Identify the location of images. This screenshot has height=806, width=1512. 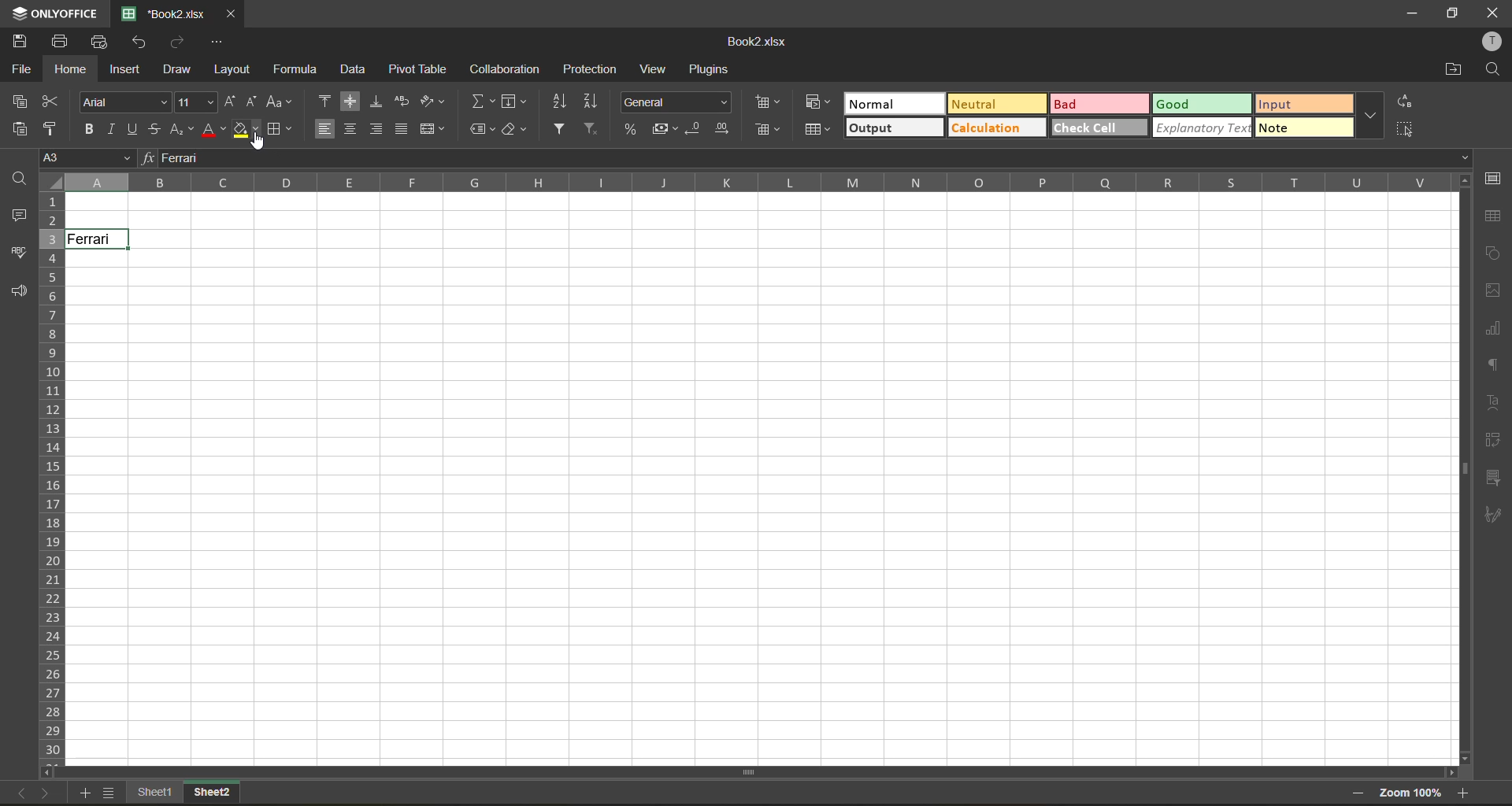
(1495, 291).